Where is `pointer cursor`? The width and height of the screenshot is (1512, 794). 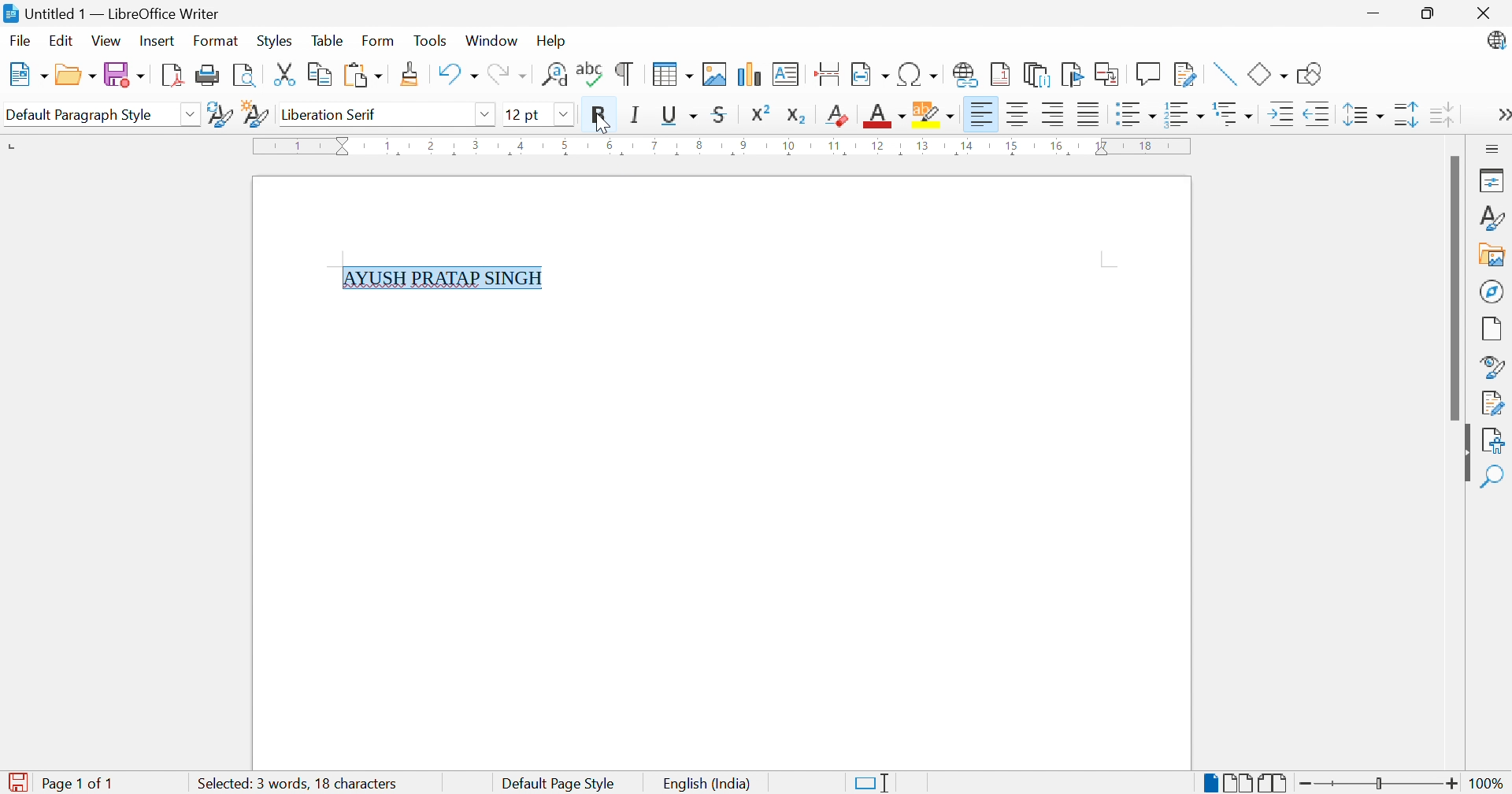
pointer cursor is located at coordinates (602, 124).